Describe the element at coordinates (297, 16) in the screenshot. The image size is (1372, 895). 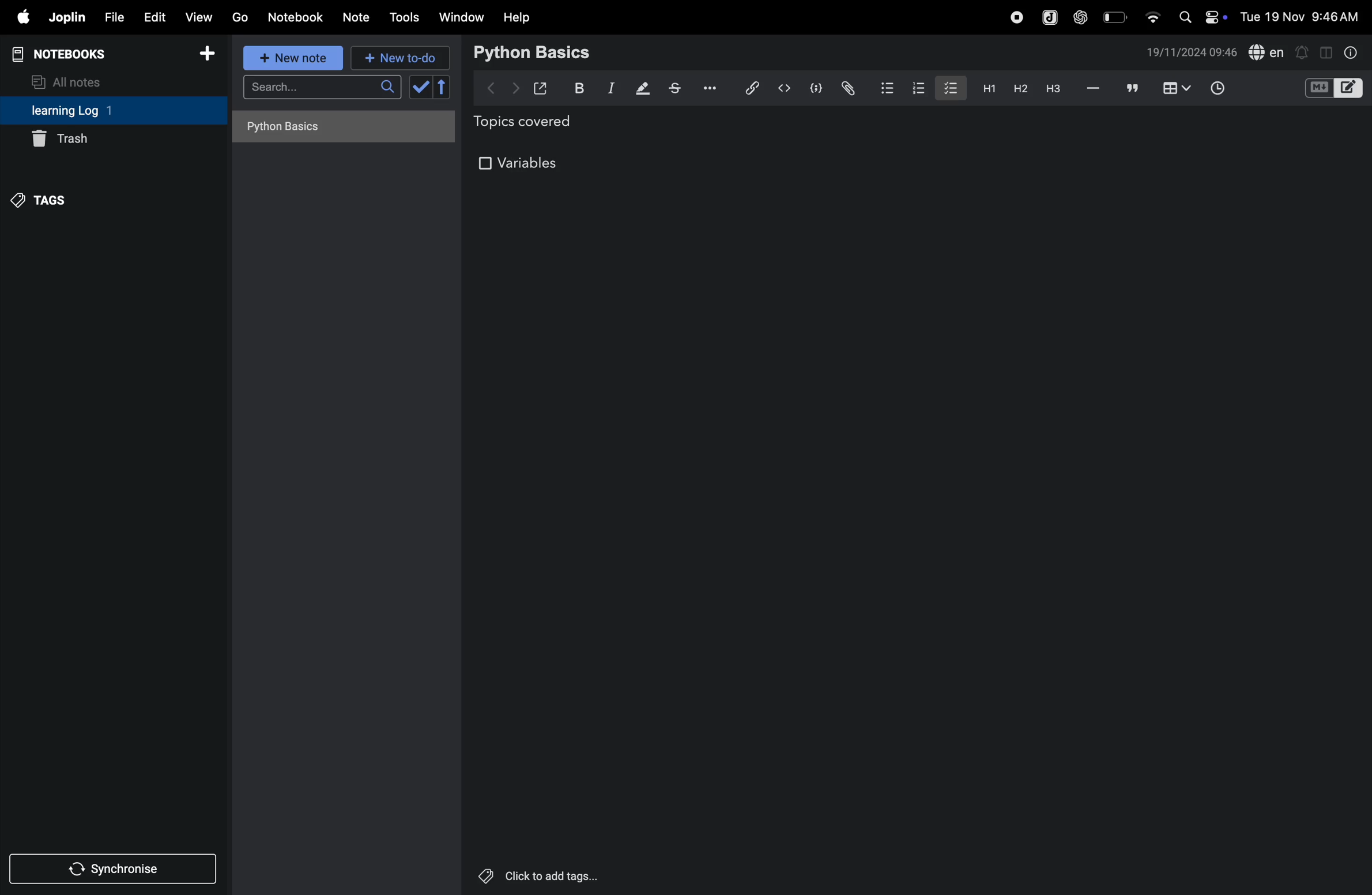
I see `notebook` at that location.